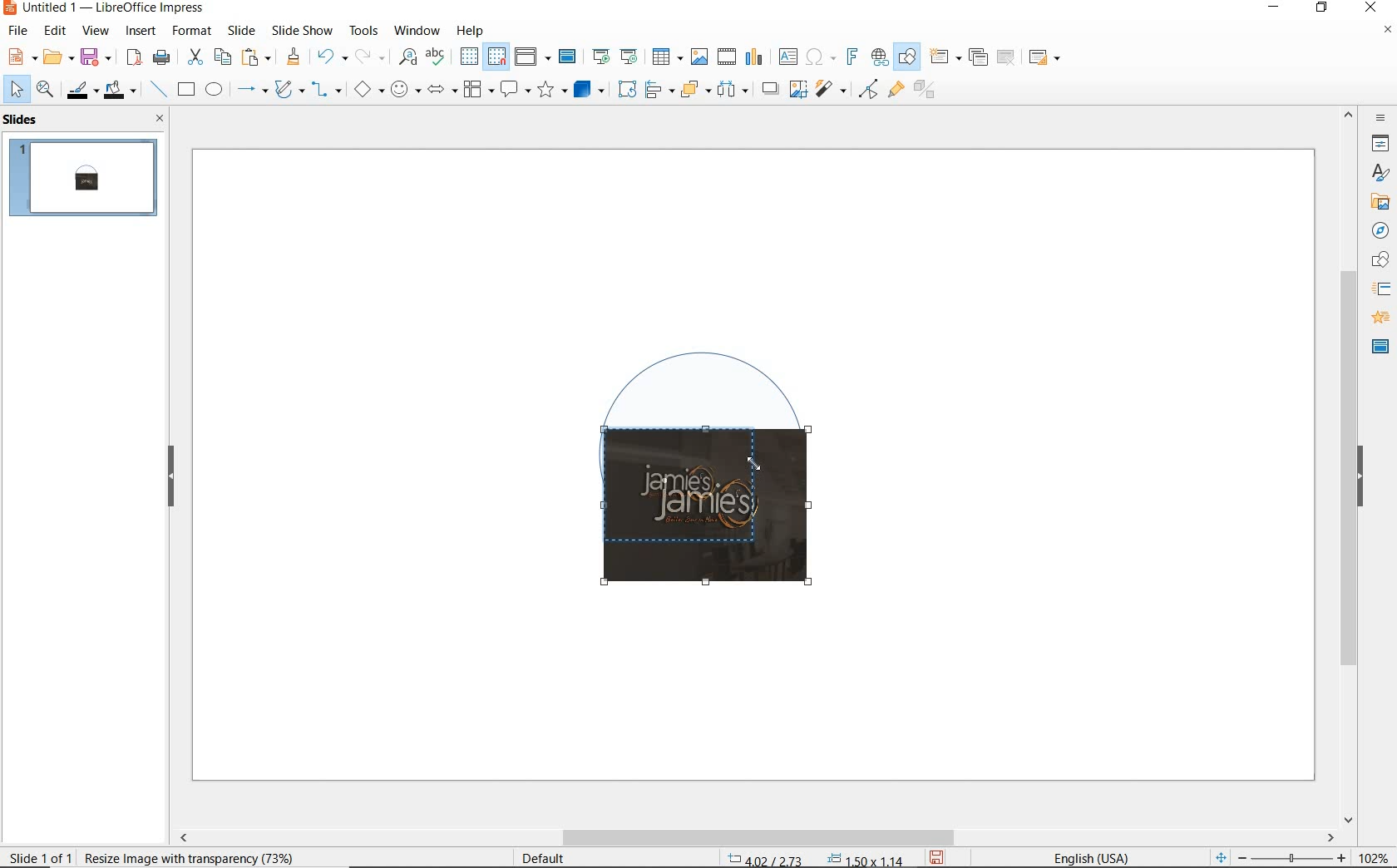  Describe the element at coordinates (24, 120) in the screenshot. I see `slides` at that location.